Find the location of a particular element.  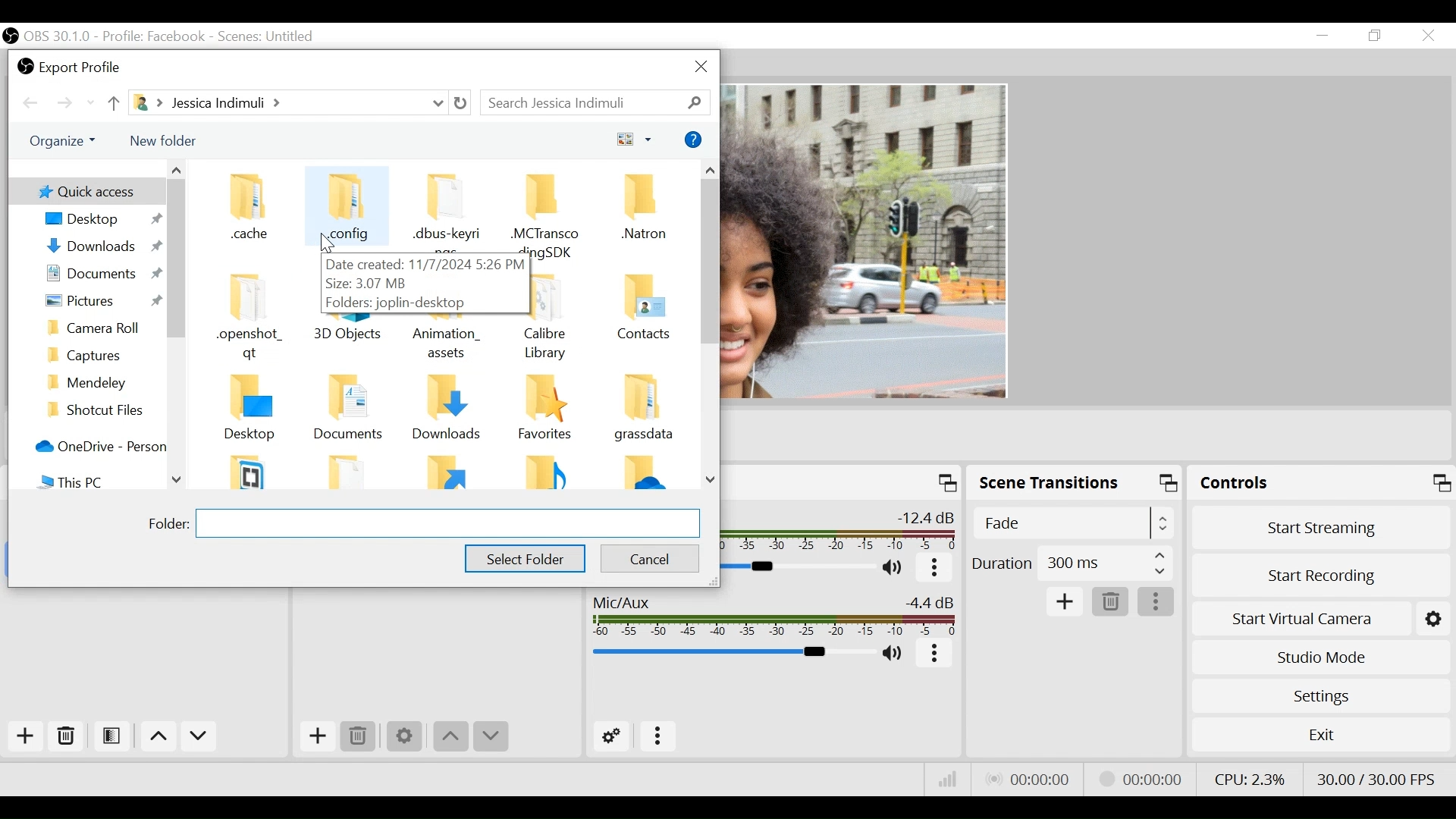

Add is located at coordinates (26, 736).